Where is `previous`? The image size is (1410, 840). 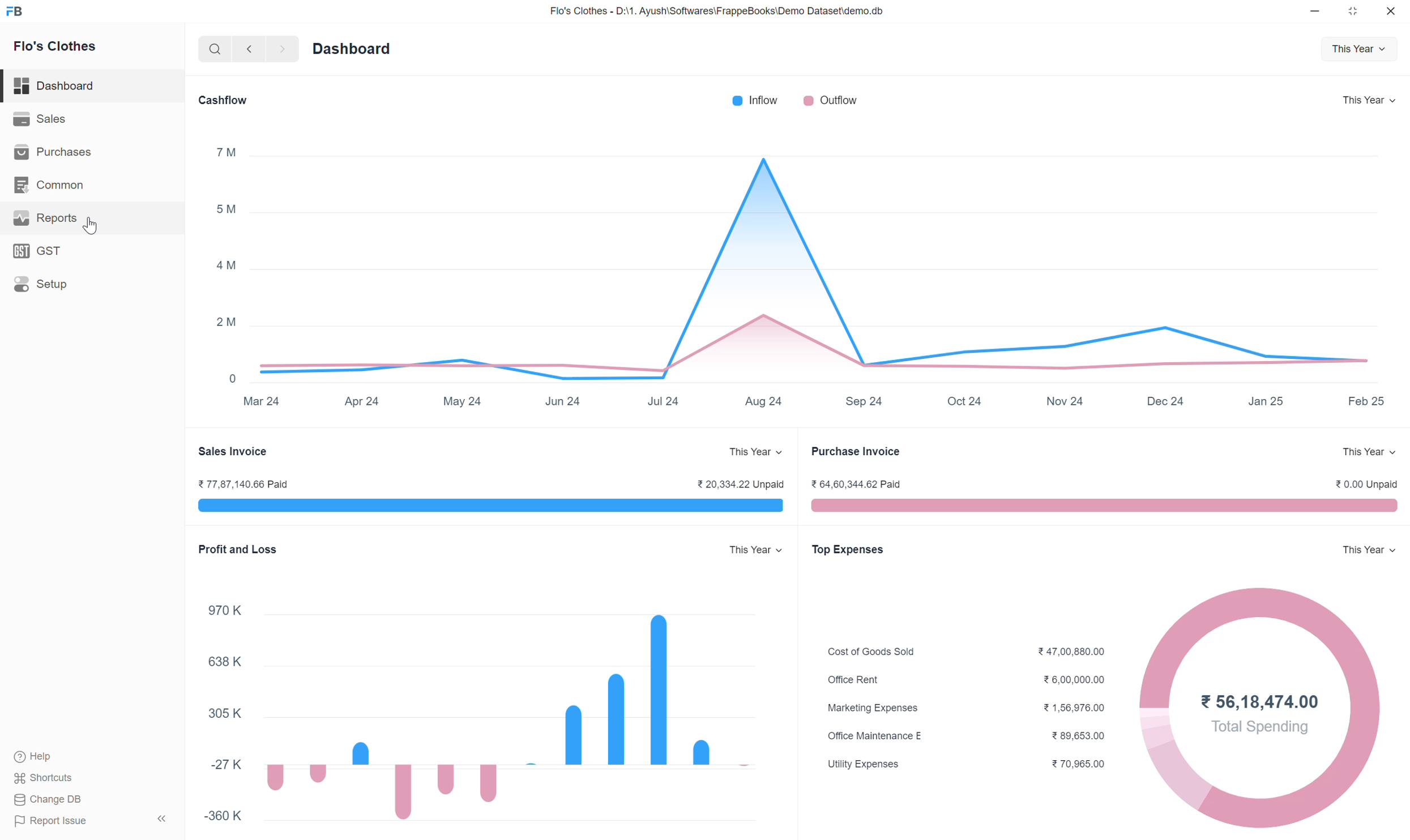
previous is located at coordinates (249, 48).